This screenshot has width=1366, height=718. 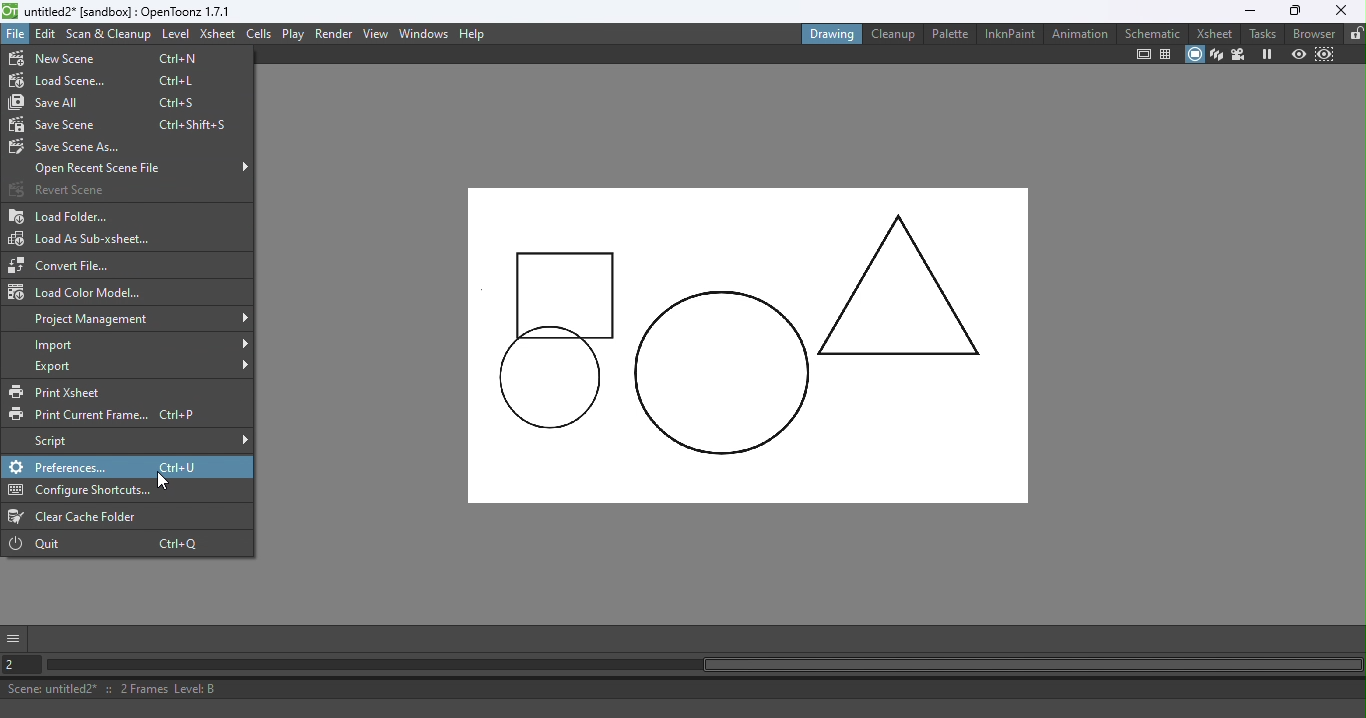 I want to click on Render, so click(x=331, y=35).